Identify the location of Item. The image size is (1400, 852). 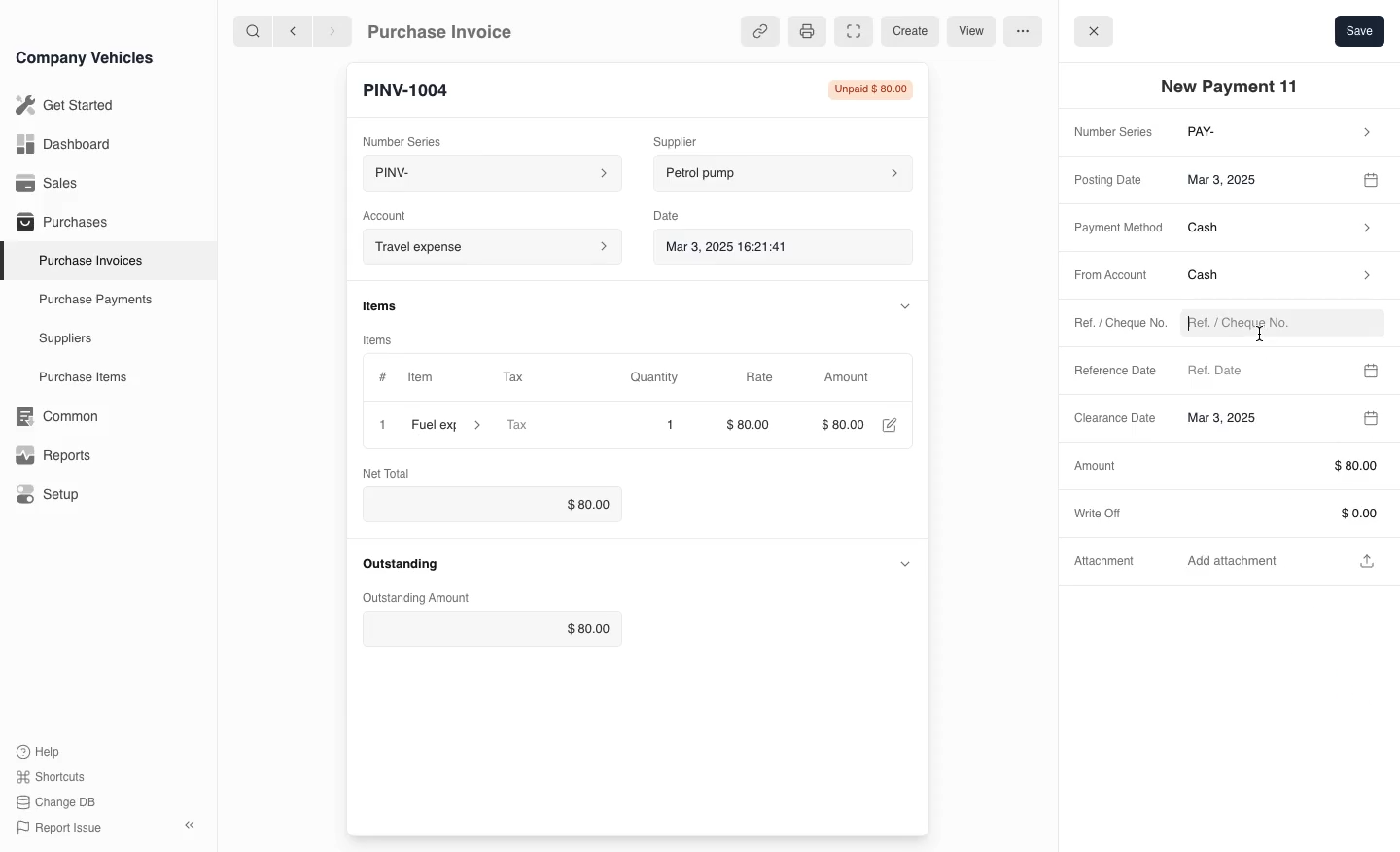
(407, 378).